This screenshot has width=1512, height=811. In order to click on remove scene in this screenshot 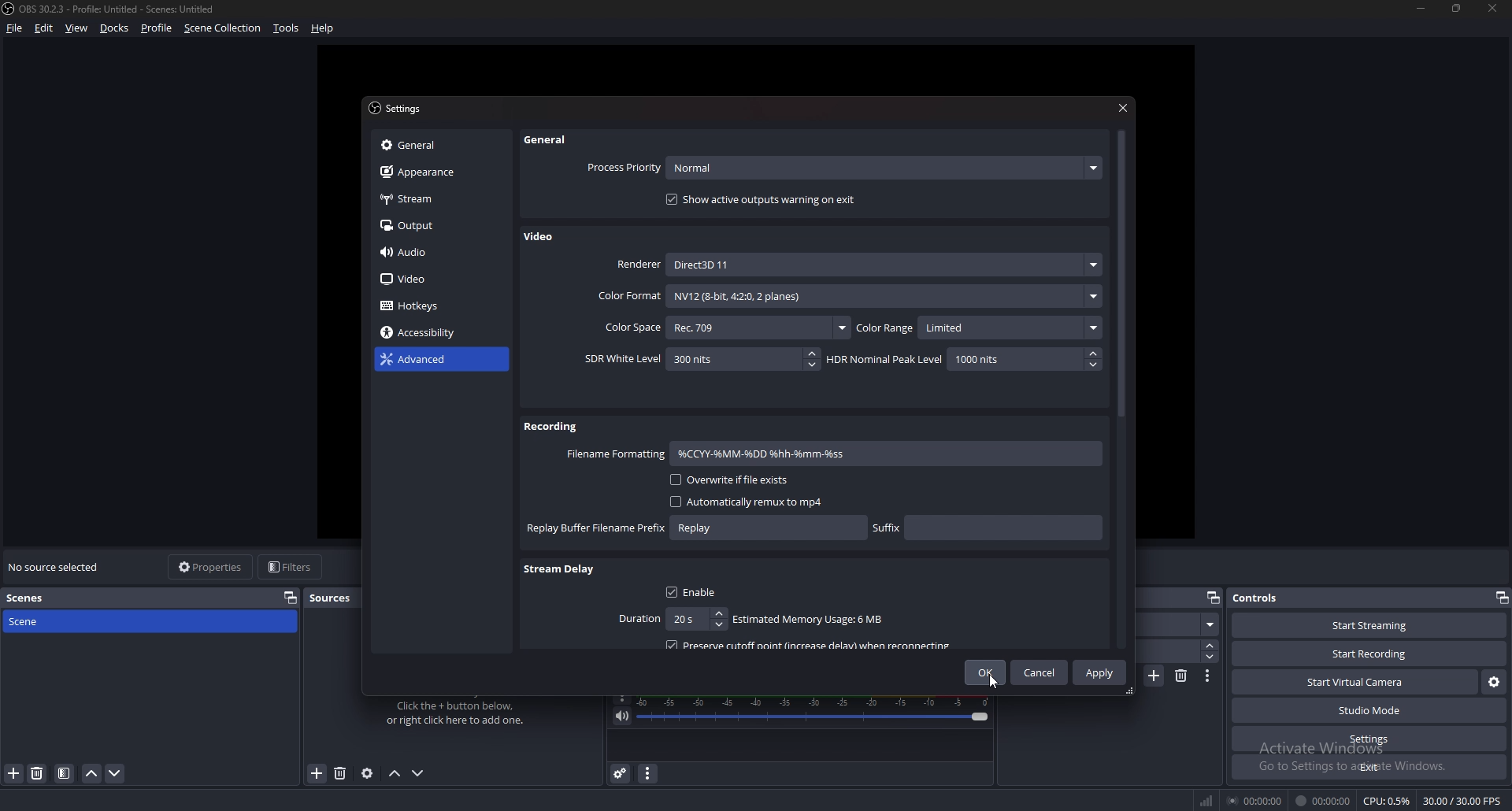, I will do `click(38, 773)`.